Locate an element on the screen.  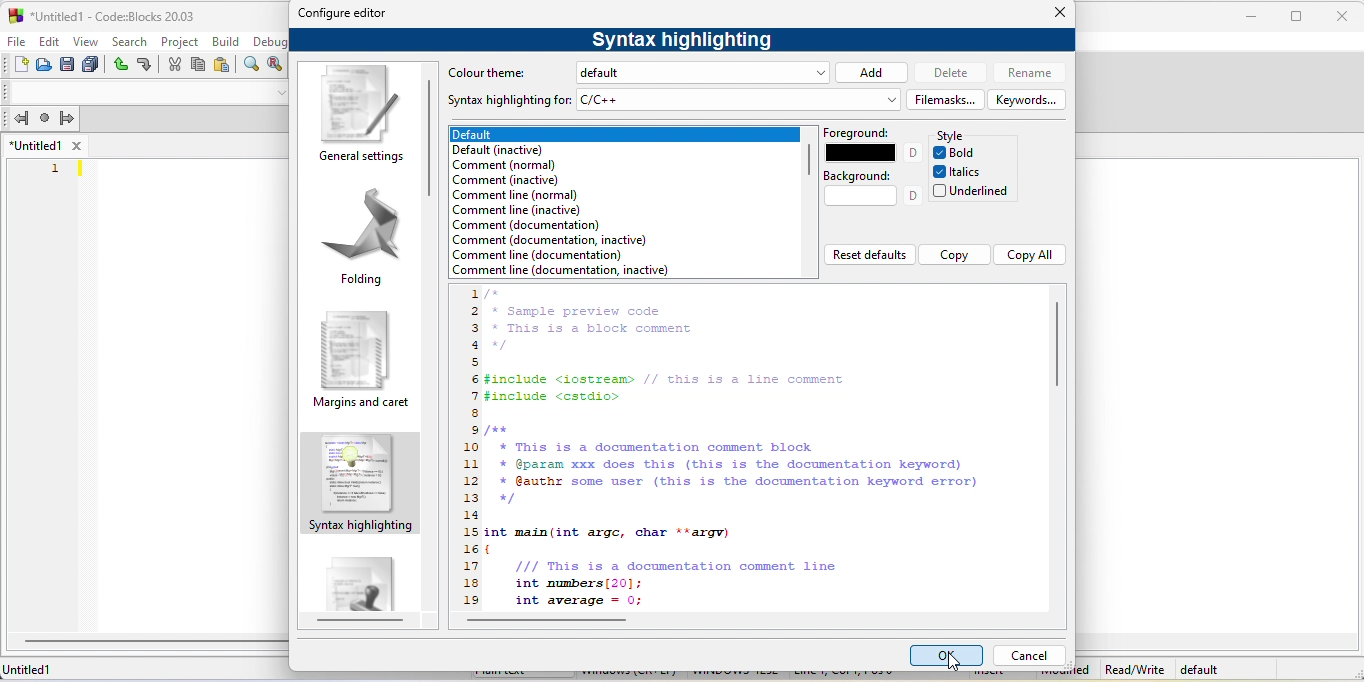
last jump is located at coordinates (45, 117).